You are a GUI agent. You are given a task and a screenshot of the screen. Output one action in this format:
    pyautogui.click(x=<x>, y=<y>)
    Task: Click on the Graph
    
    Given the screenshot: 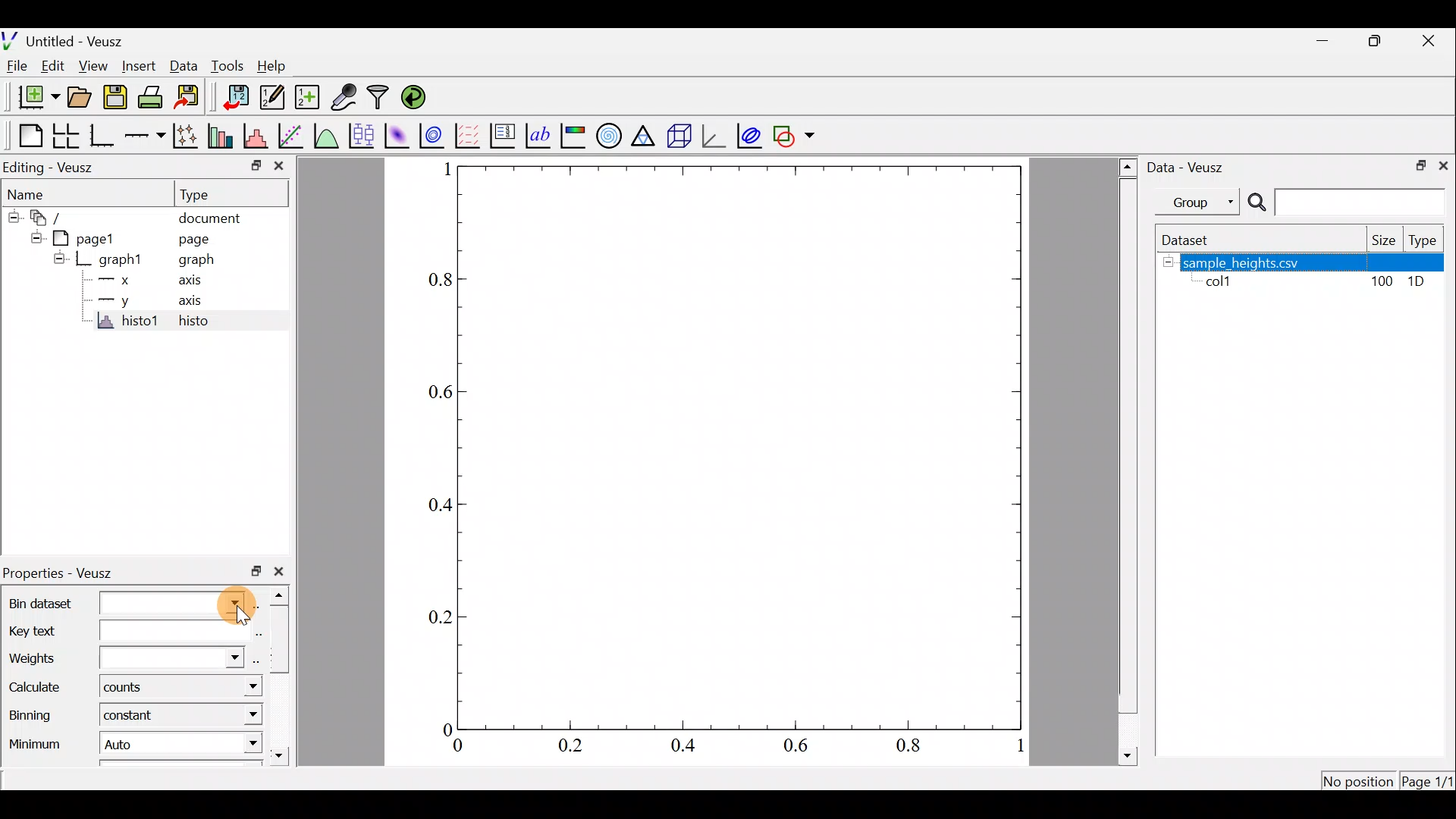 What is the action you would take?
    pyautogui.click(x=742, y=447)
    